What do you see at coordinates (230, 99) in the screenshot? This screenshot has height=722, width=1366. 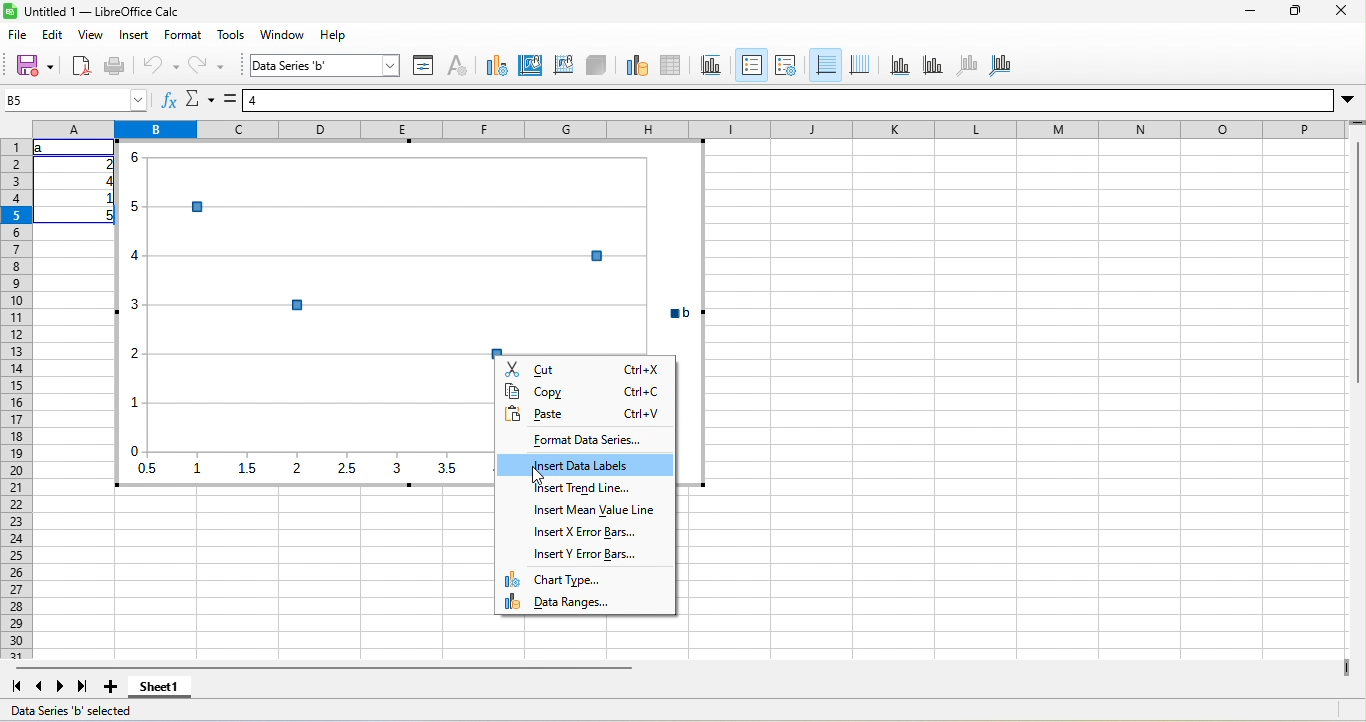 I see `formula` at bounding box center [230, 99].